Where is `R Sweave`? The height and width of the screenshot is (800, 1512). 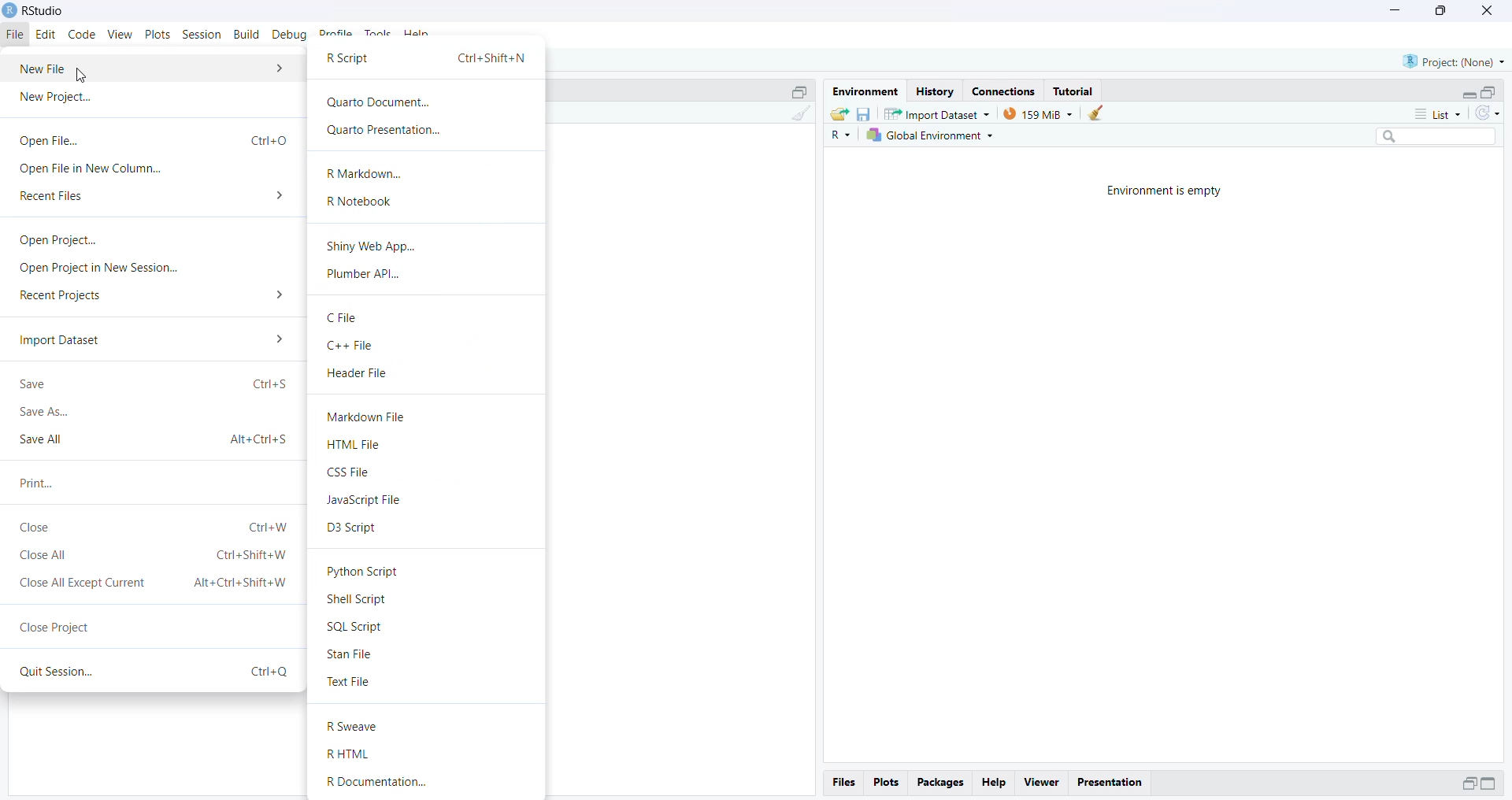
R Sweave is located at coordinates (358, 727).